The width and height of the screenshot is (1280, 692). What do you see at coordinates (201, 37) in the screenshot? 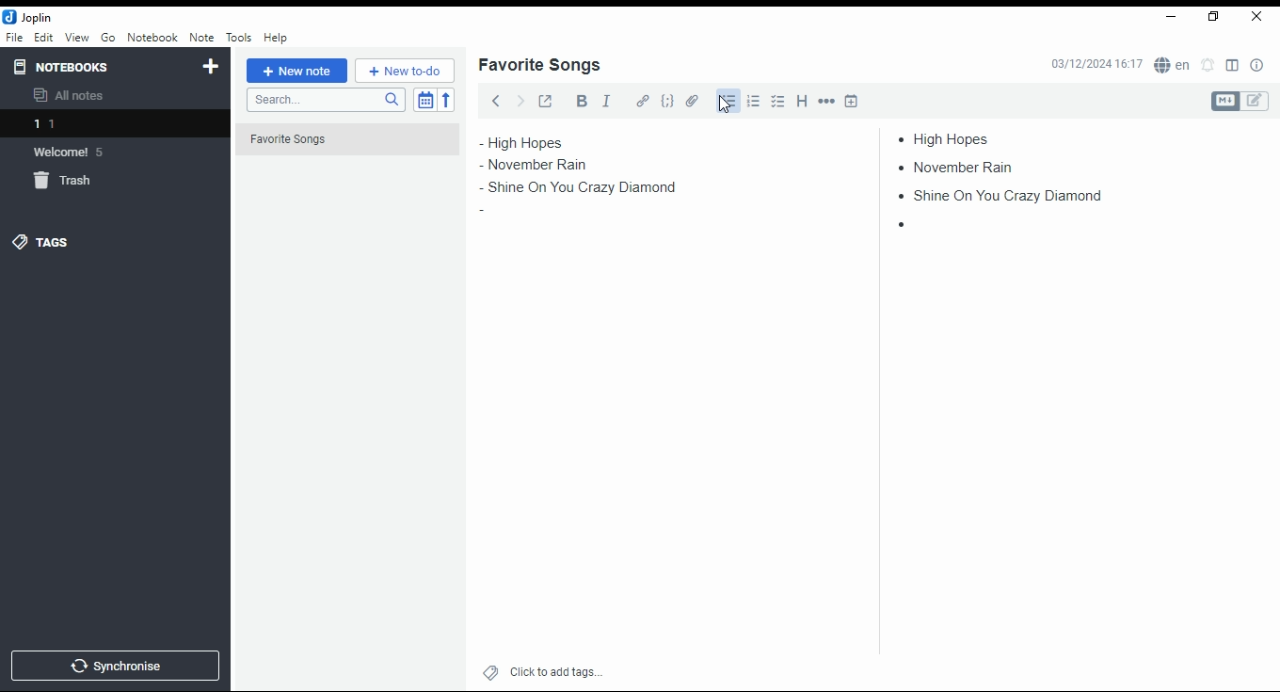
I see `note` at bounding box center [201, 37].